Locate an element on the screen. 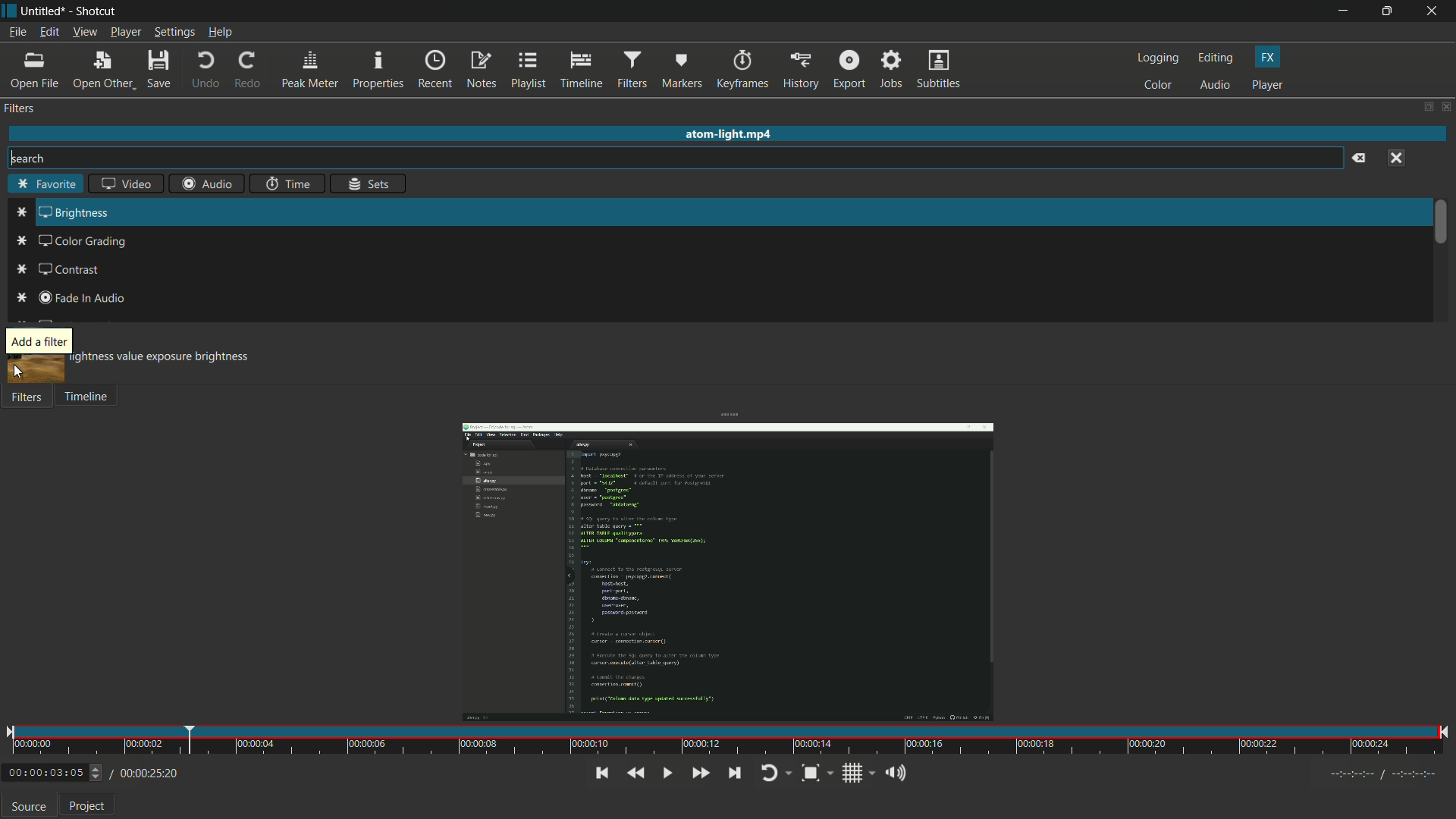 This screenshot has height=819, width=1456. view menu is located at coordinates (84, 33).